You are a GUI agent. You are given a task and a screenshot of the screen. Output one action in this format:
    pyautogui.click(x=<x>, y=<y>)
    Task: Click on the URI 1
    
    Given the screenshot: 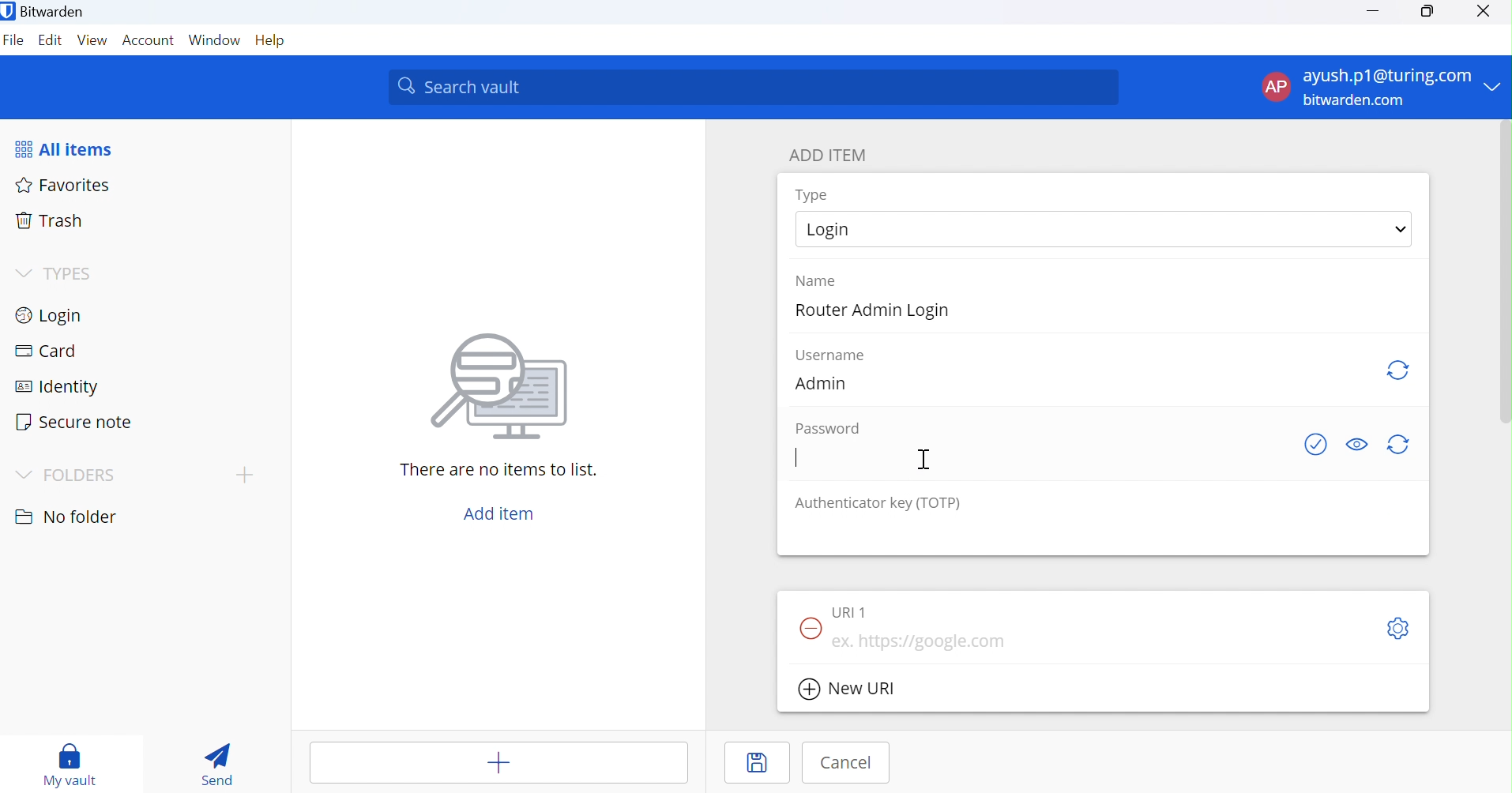 What is the action you would take?
    pyautogui.click(x=850, y=613)
    